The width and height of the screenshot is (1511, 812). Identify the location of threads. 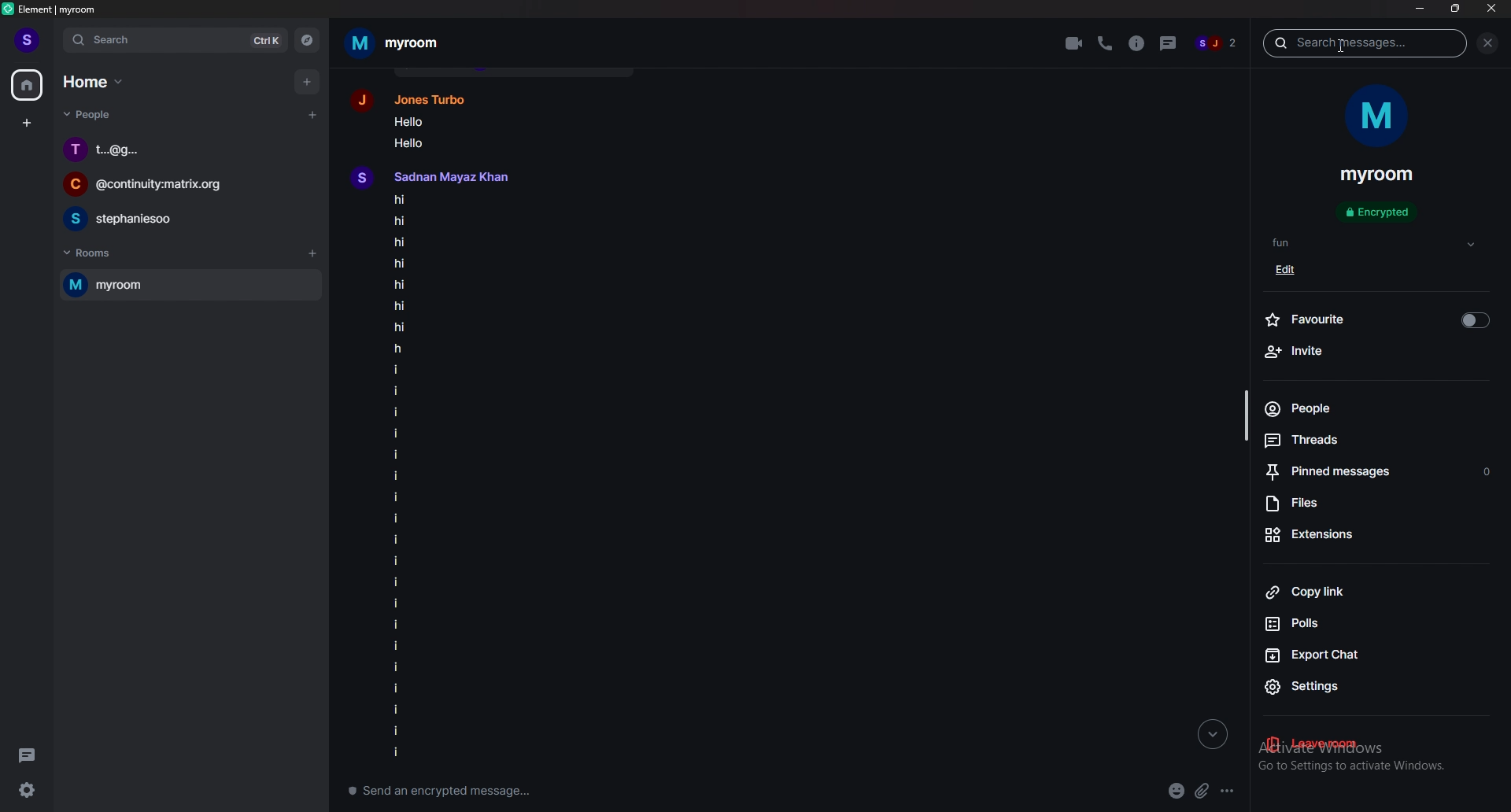
(1347, 441).